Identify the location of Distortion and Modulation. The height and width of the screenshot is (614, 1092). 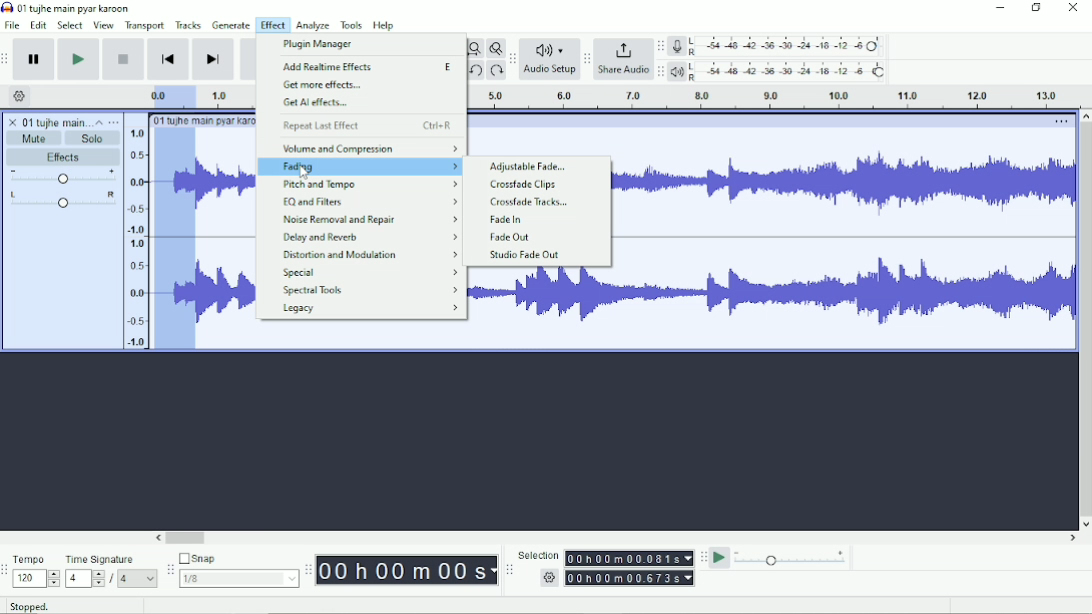
(372, 255).